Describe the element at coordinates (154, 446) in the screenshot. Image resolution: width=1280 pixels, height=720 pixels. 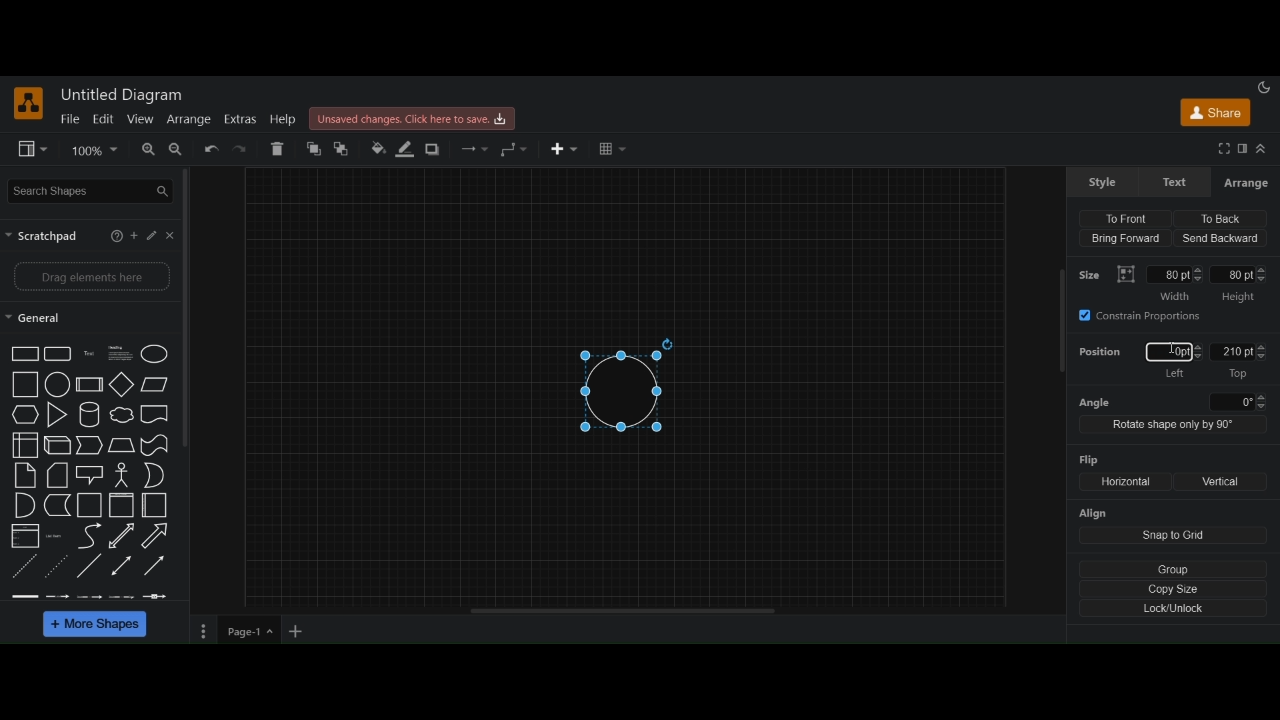
I see `free shape` at that location.